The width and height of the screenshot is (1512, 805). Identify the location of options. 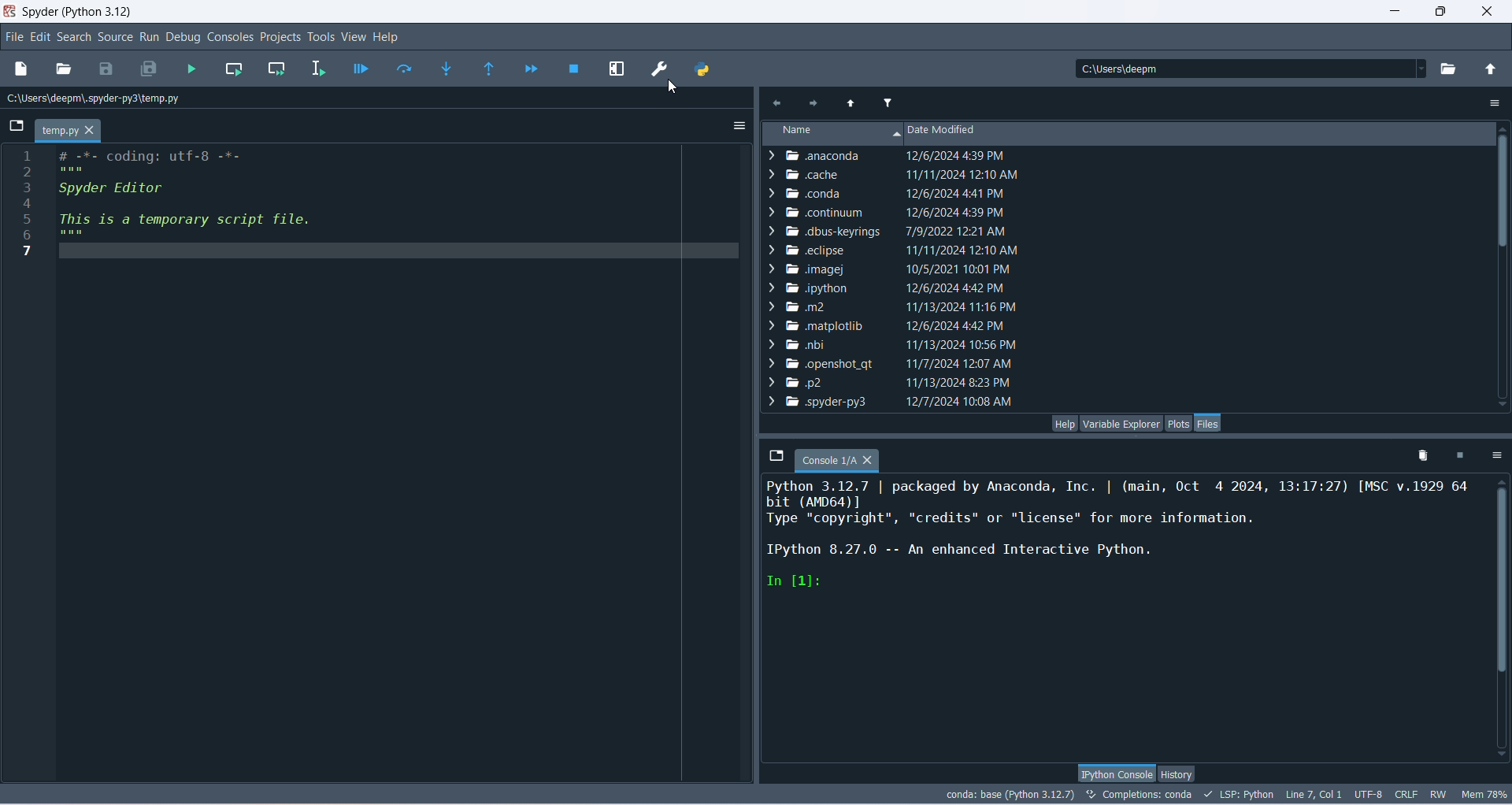
(738, 127).